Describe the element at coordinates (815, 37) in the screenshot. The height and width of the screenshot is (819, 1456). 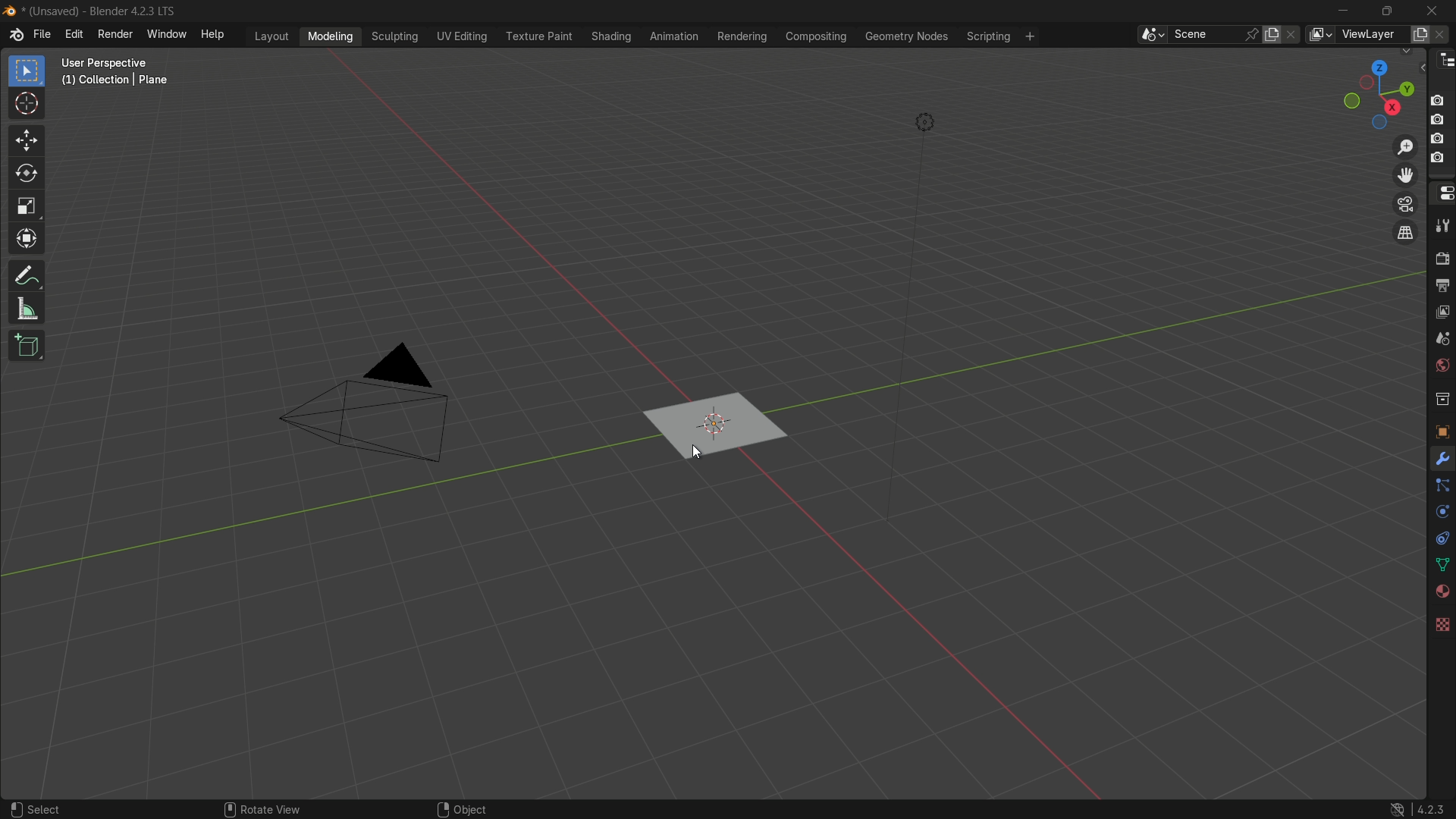
I see `compositing` at that location.